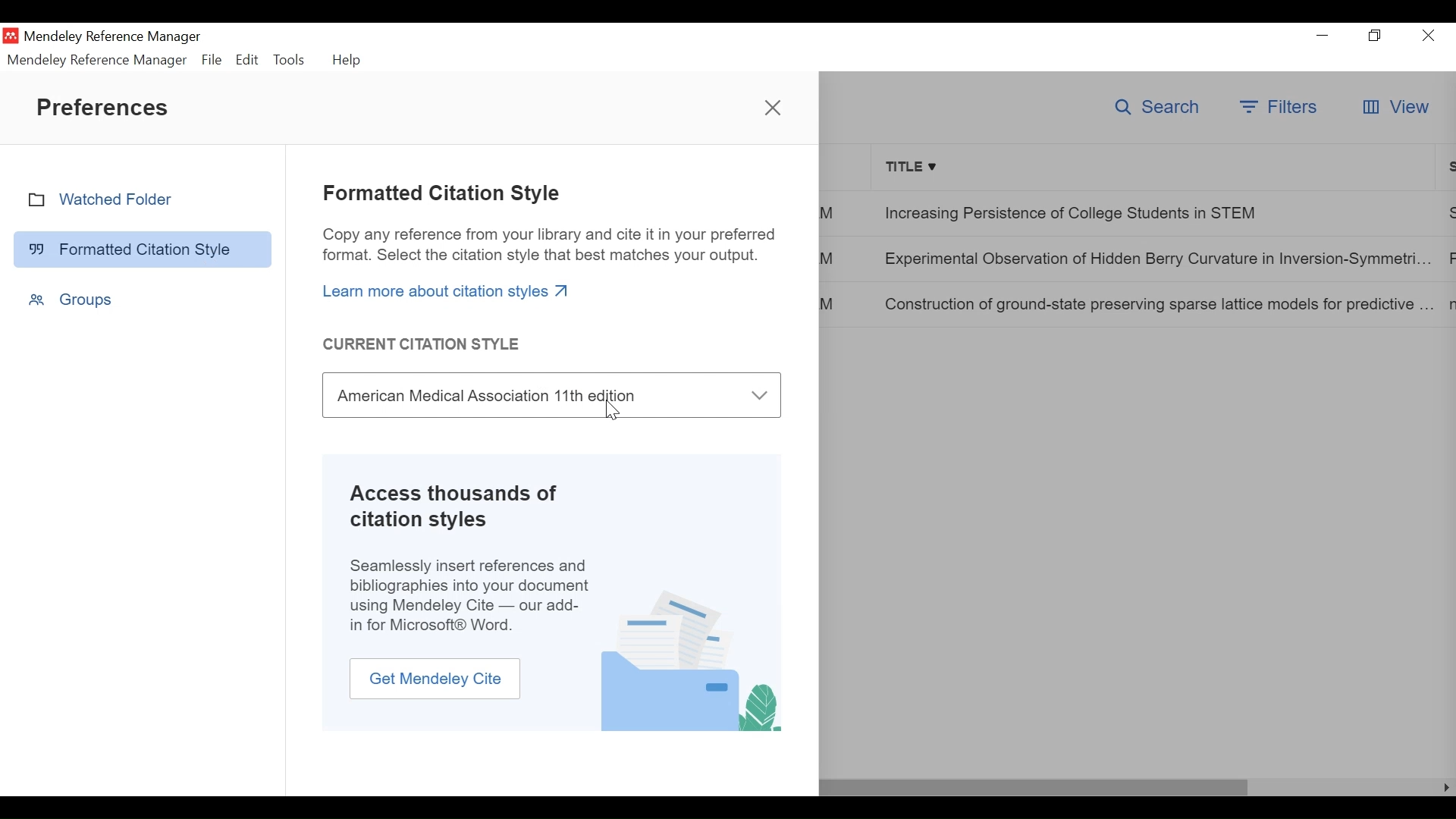 The height and width of the screenshot is (819, 1456). What do you see at coordinates (98, 60) in the screenshot?
I see `Mendeley Reference Manager` at bounding box center [98, 60].